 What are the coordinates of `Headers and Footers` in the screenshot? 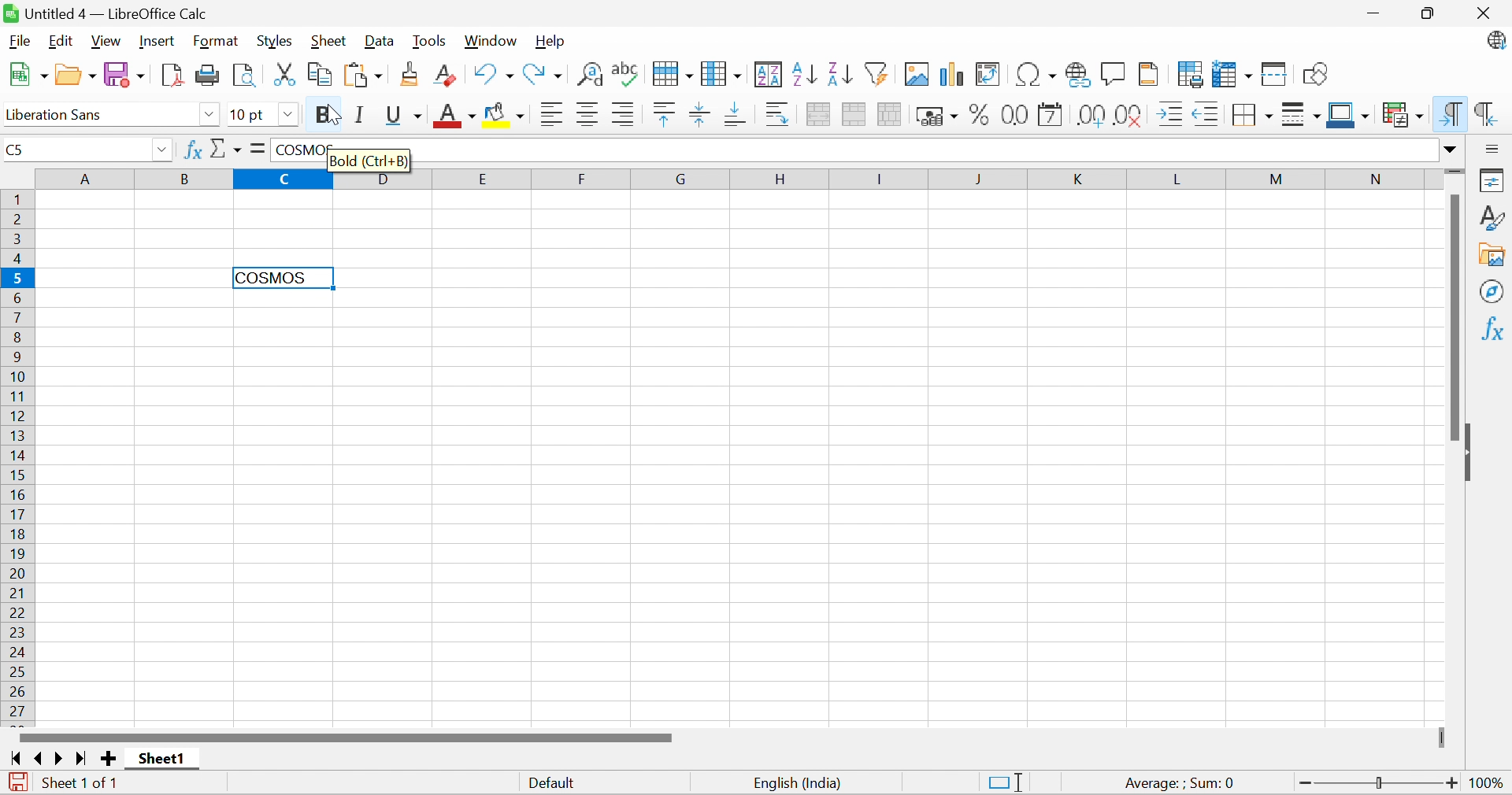 It's located at (1152, 72).